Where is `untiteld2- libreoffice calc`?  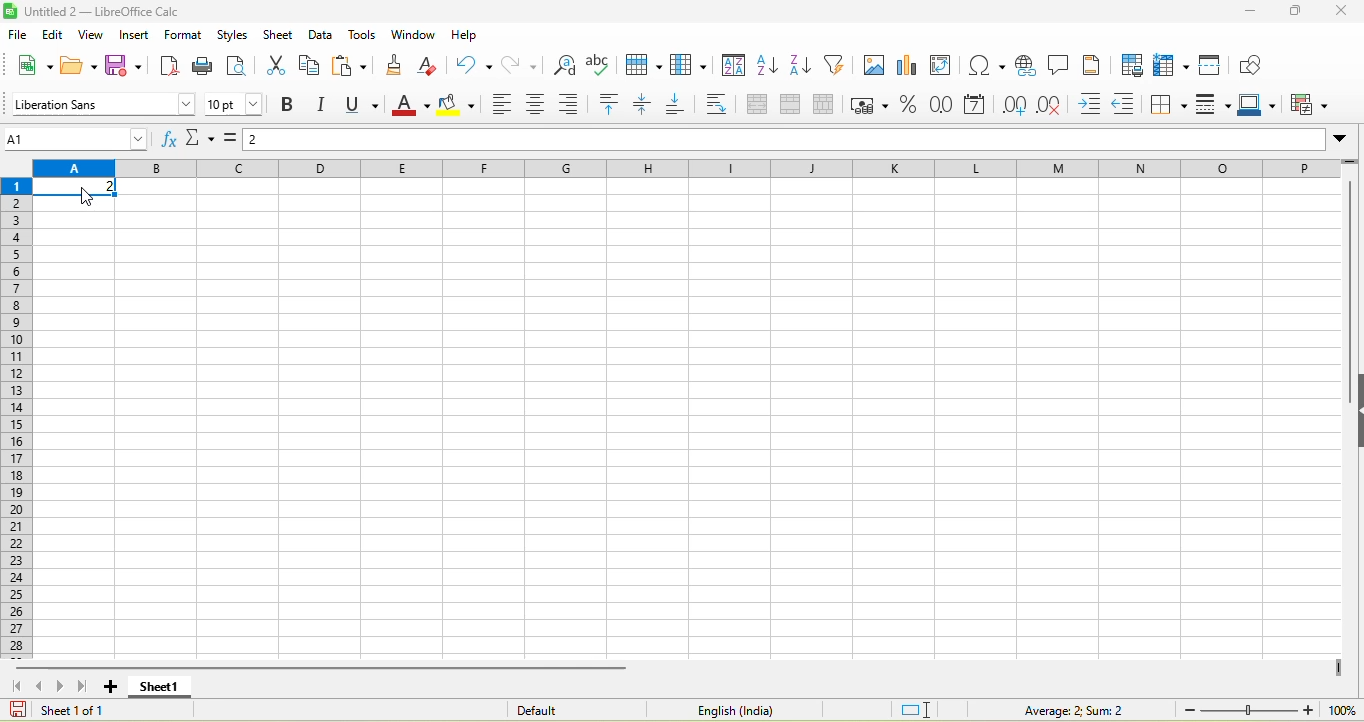 untiteld2- libreoffice calc is located at coordinates (113, 10).